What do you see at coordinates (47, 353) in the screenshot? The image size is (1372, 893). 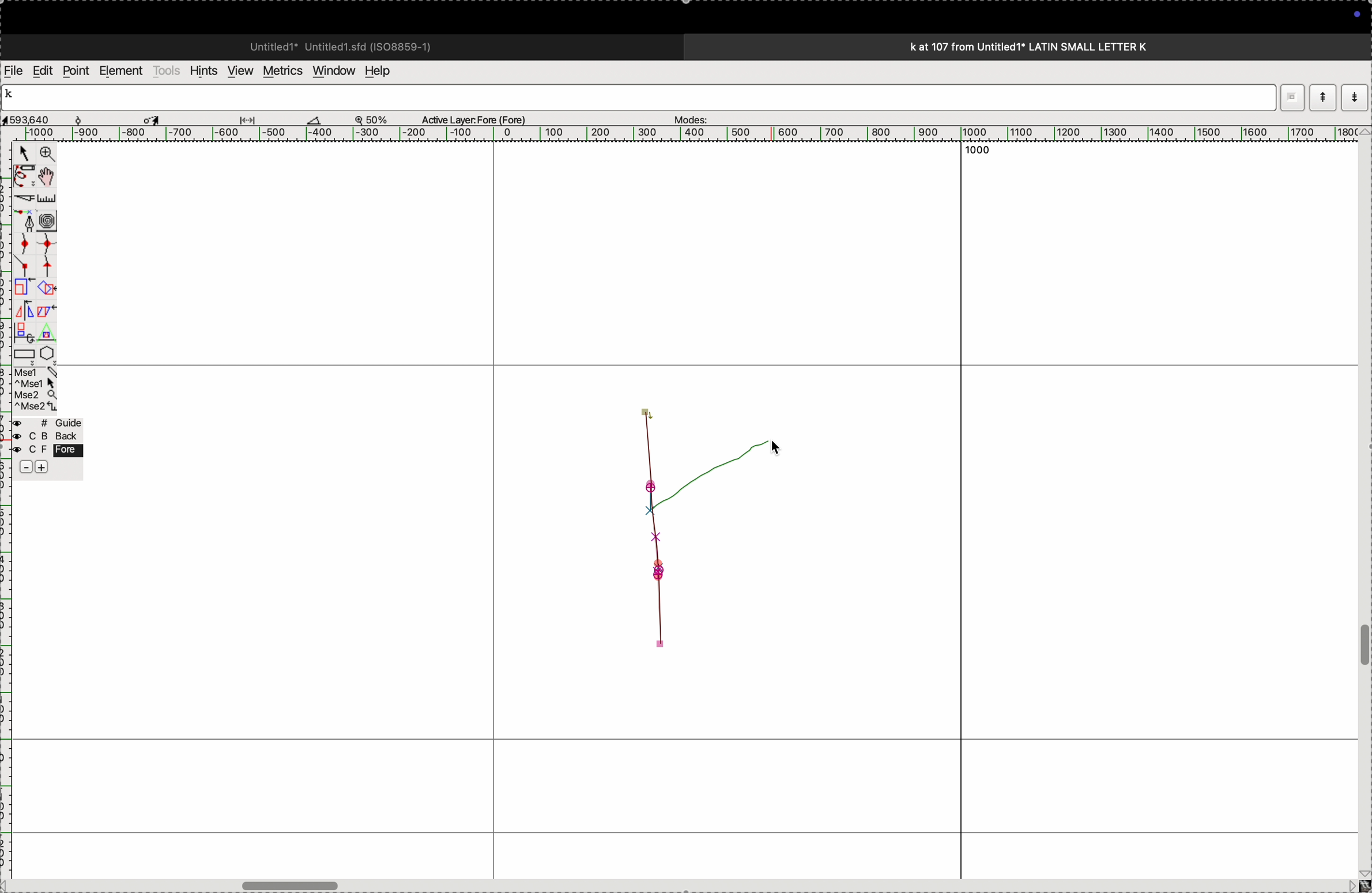 I see `polygon` at bounding box center [47, 353].